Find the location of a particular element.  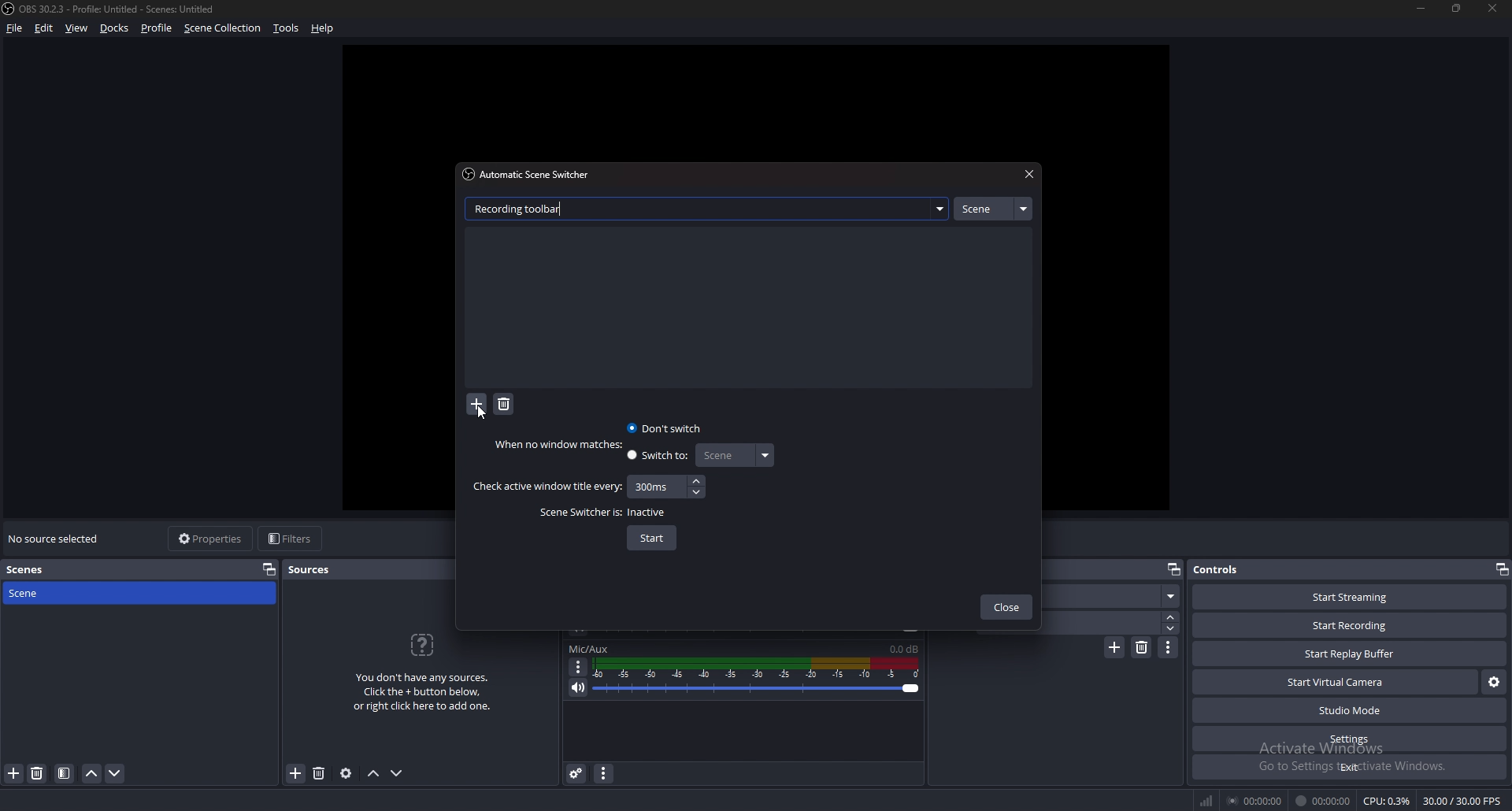

docks is located at coordinates (115, 28).